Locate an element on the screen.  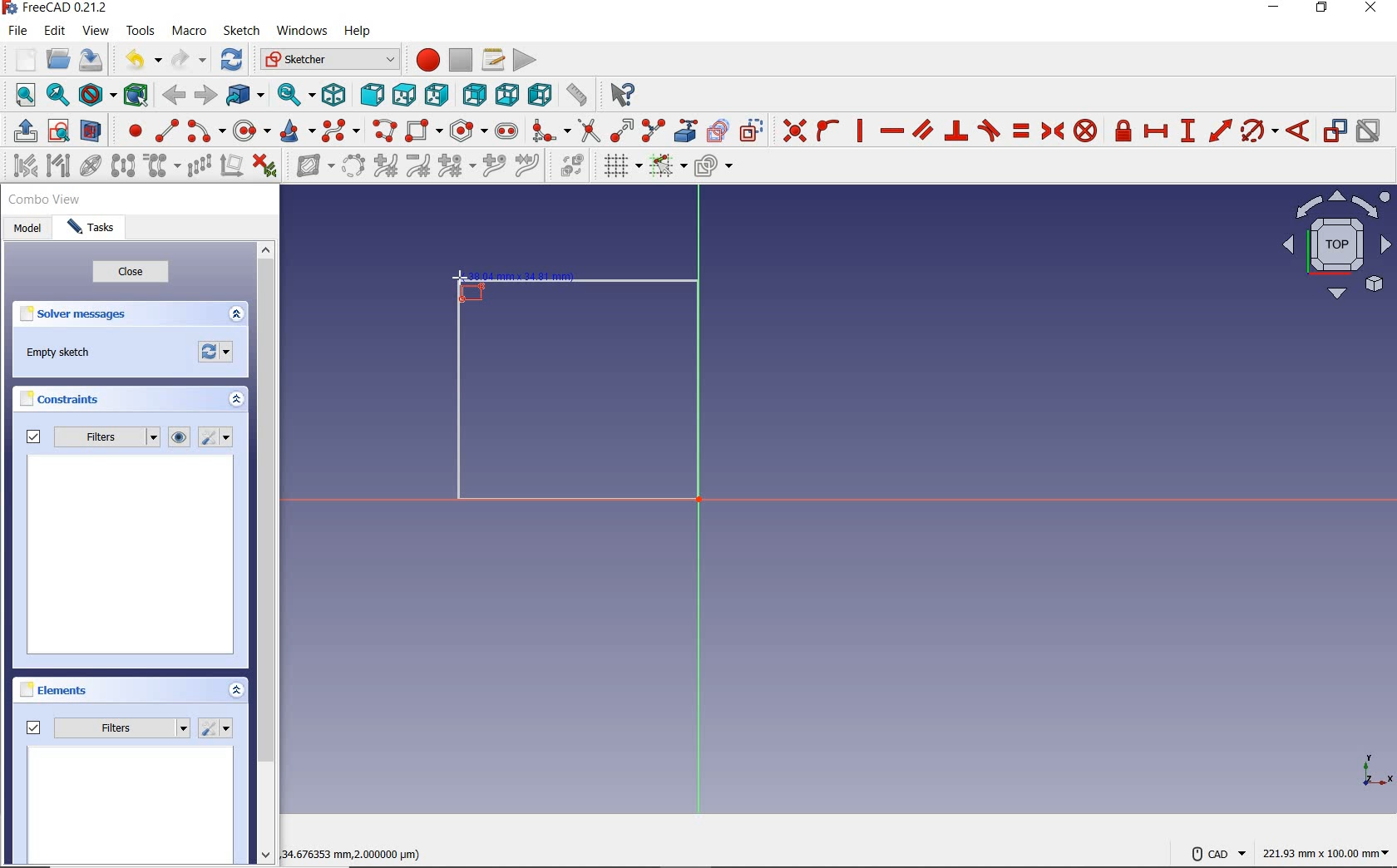
view is located at coordinates (96, 32).